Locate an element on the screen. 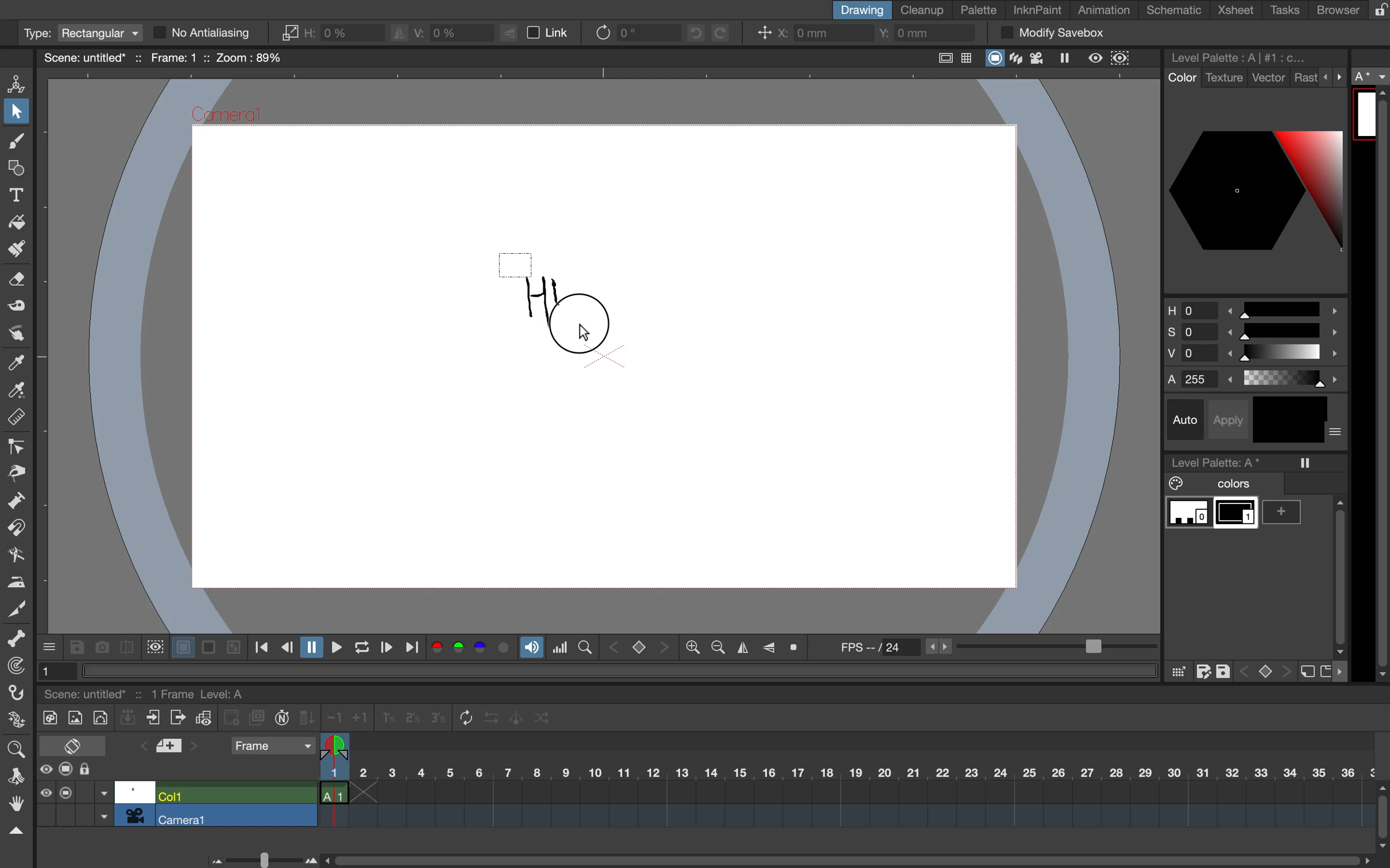 The image size is (1390, 868). scene name and scene details is located at coordinates (163, 57).